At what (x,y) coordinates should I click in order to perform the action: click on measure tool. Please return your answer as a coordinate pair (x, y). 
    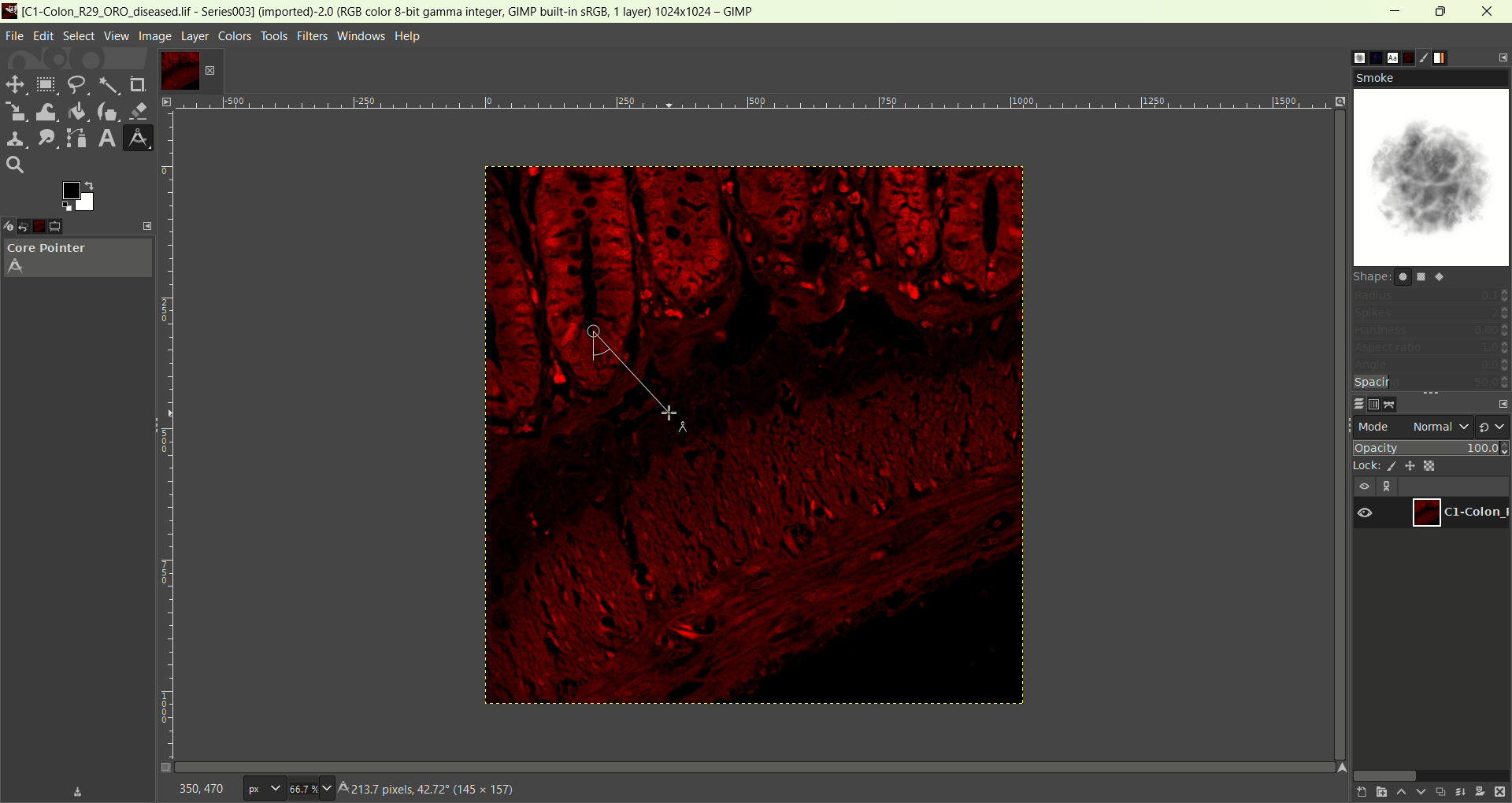
    Looking at the image, I should click on (138, 138).